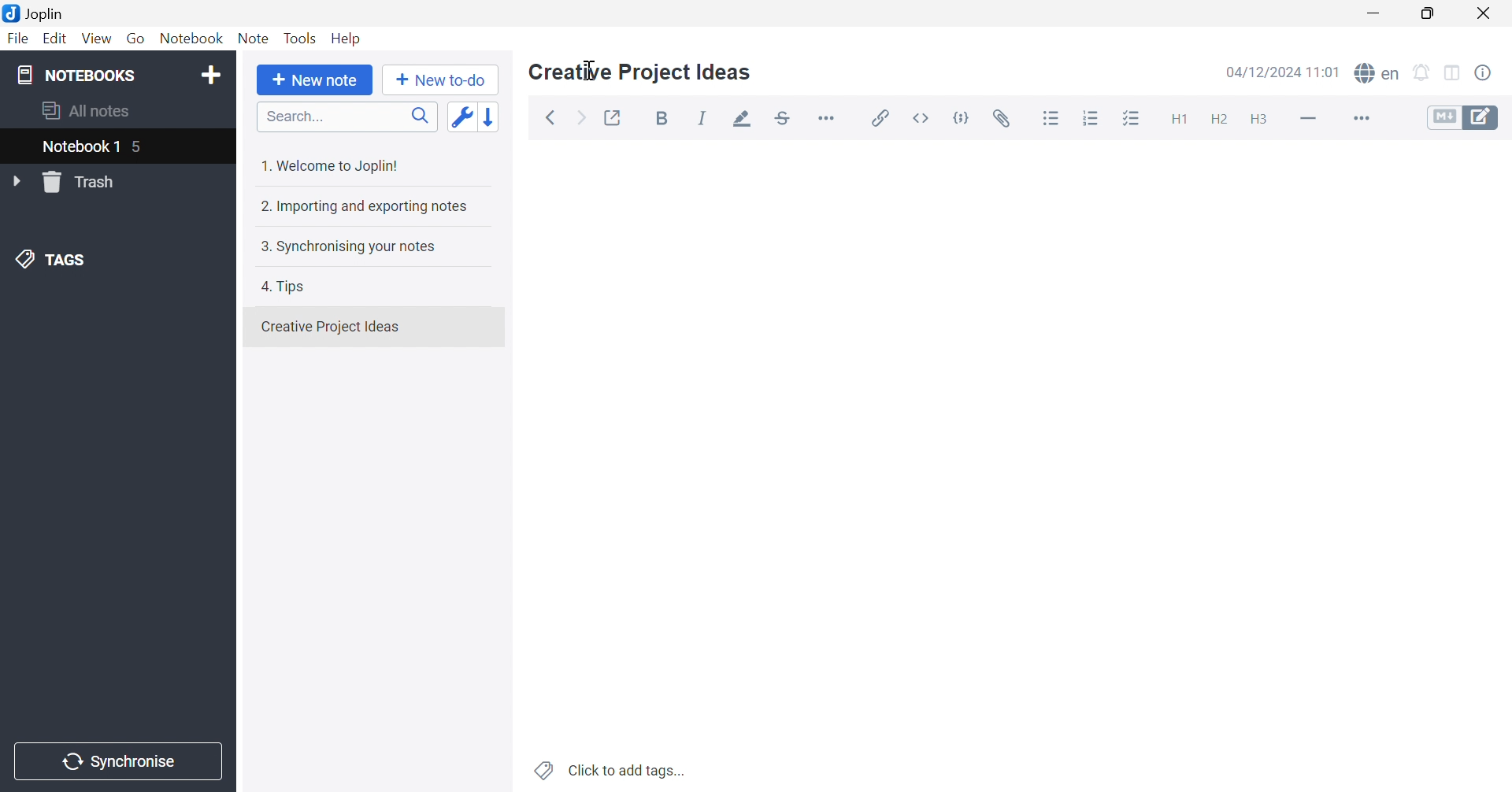 The image size is (1512, 792). I want to click on Edit, so click(56, 41).